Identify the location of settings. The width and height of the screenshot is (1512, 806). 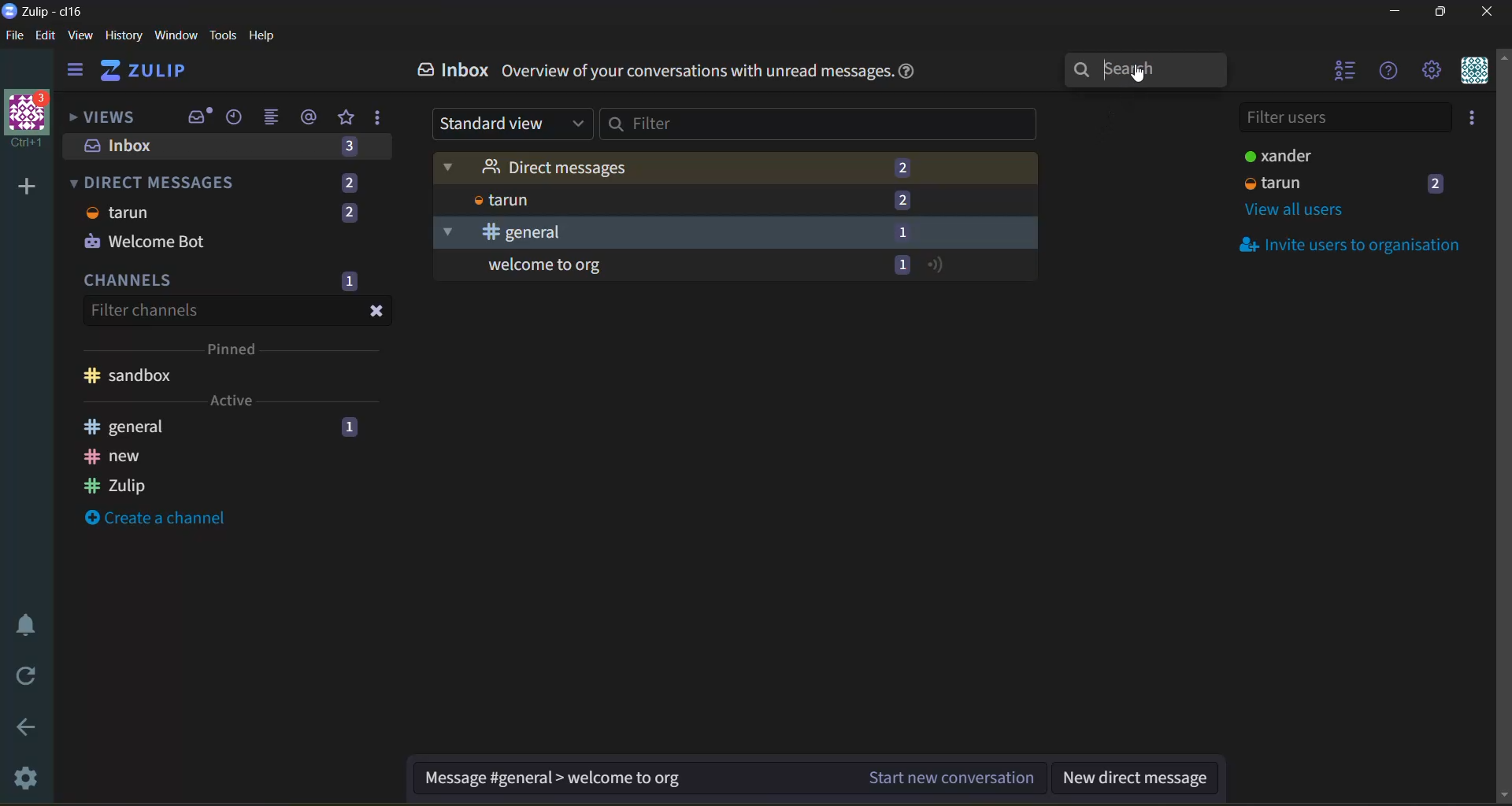
(31, 775).